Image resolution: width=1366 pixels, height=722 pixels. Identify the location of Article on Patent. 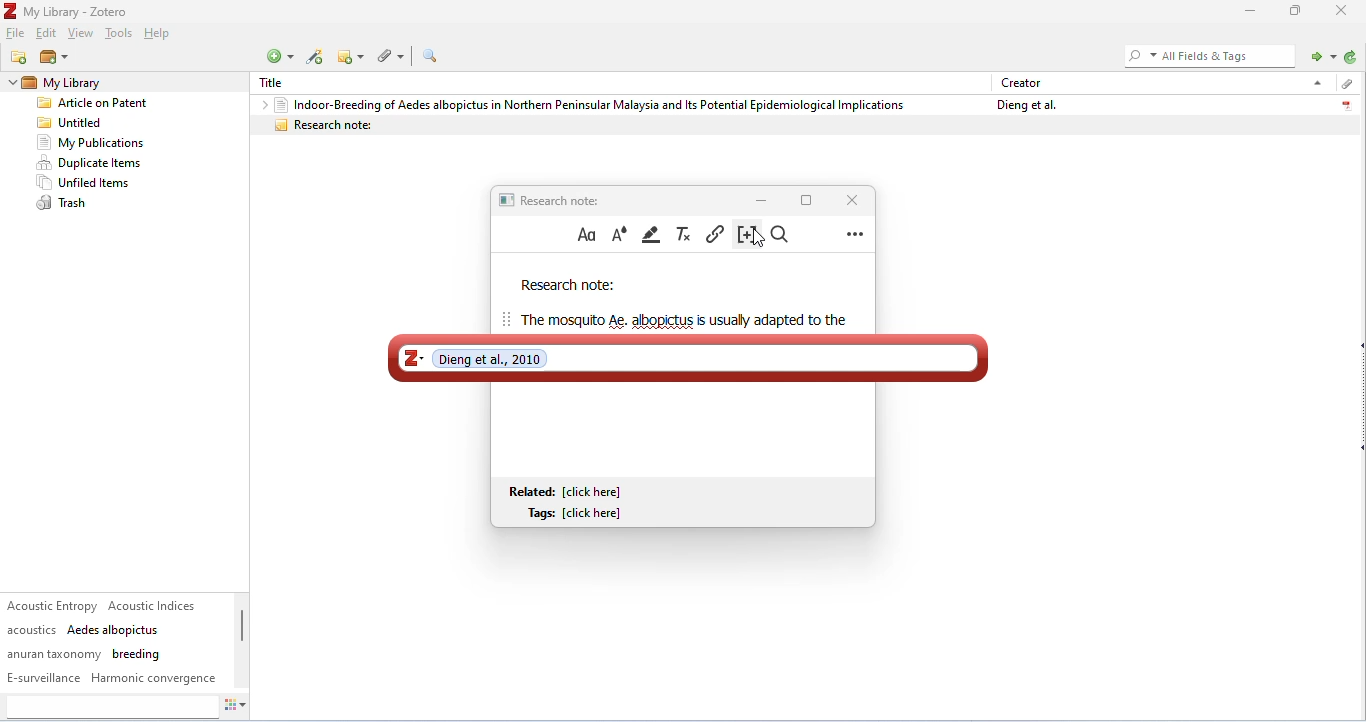
(99, 104).